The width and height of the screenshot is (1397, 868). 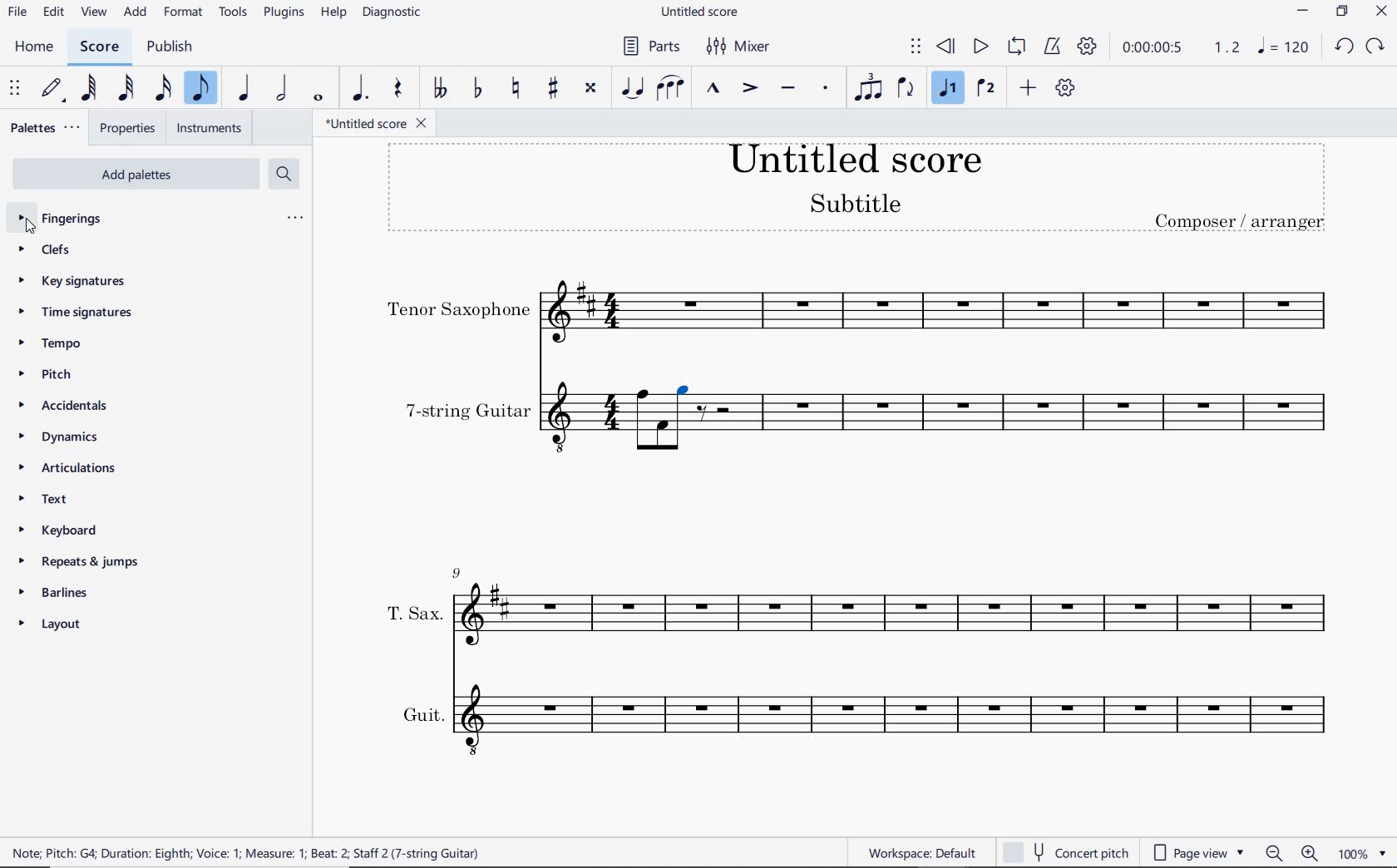 What do you see at coordinates (81, 562) in the screenshot?
I see `REPEATS & JUMPS` at bounding box center [81, 562].